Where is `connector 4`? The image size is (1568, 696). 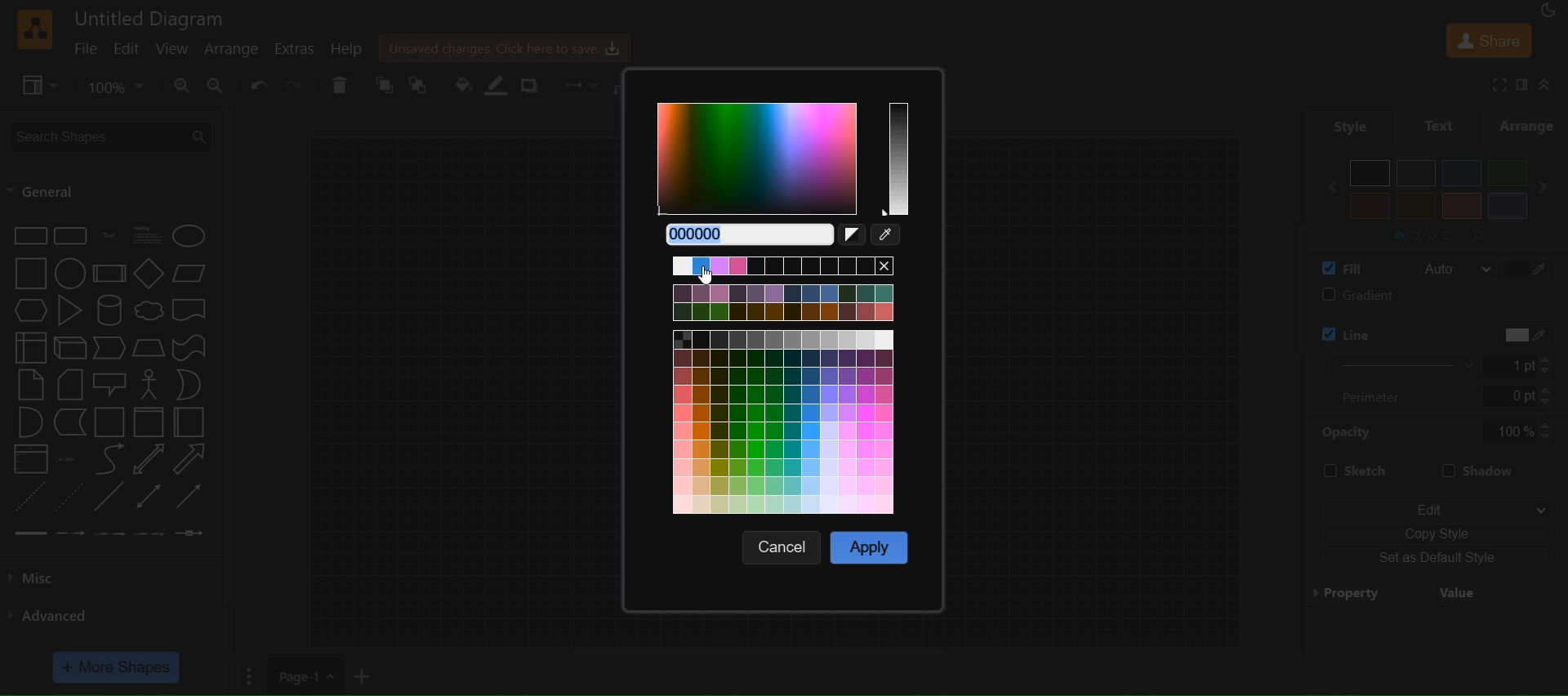
connector 4 is located at coordinates (149, 534).